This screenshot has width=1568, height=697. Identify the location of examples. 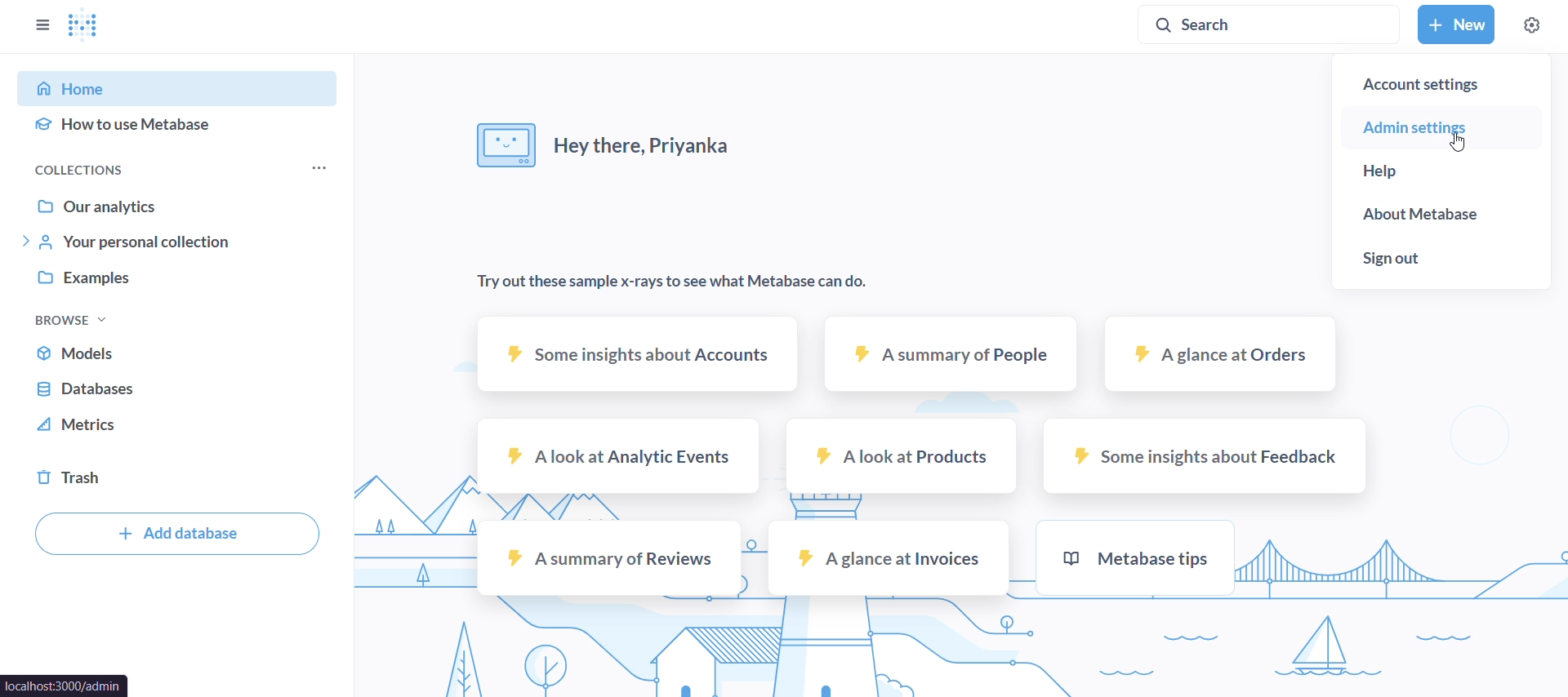
(181, 279).